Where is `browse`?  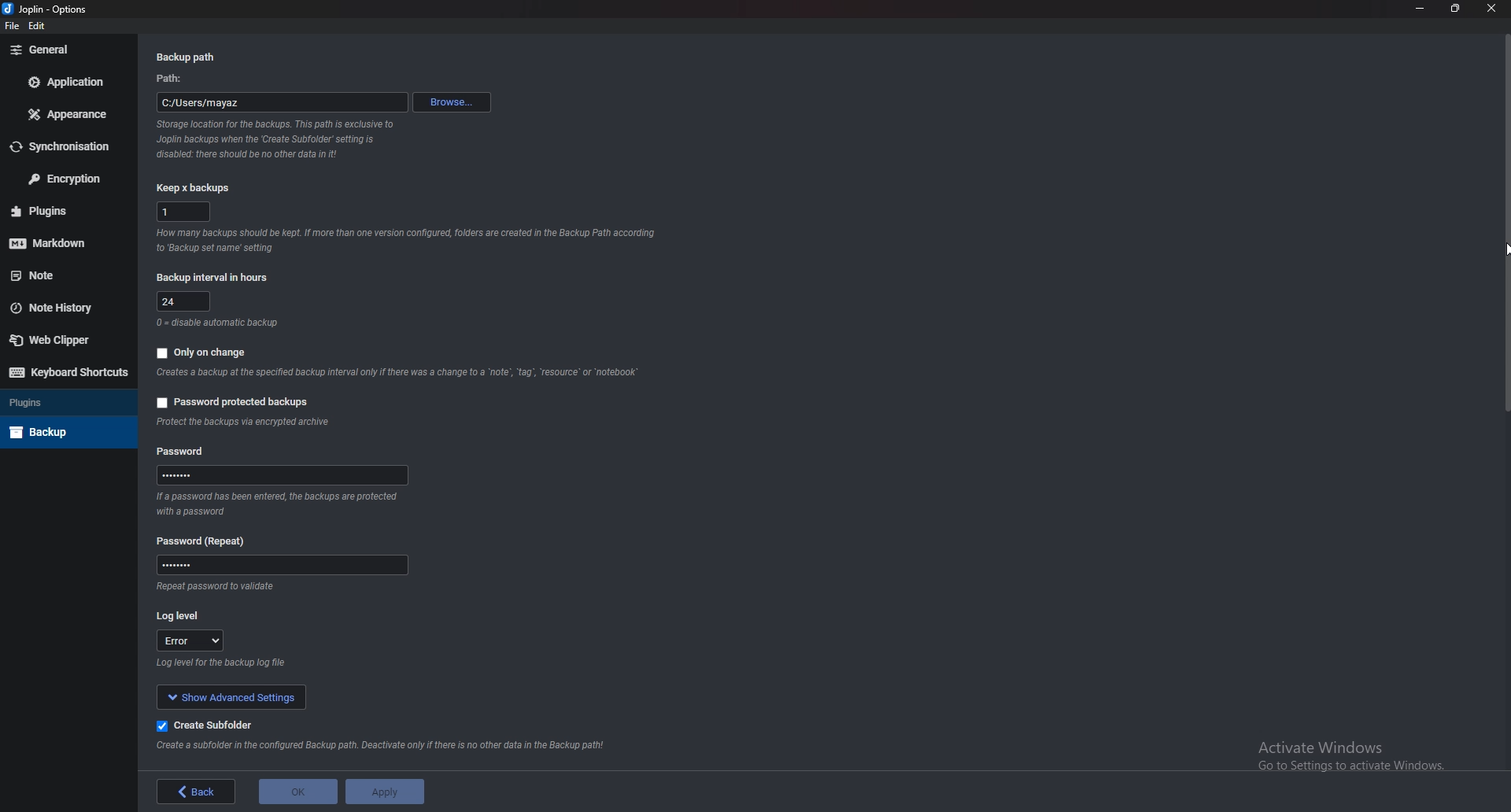 browse is located at coordinates (451, 102).